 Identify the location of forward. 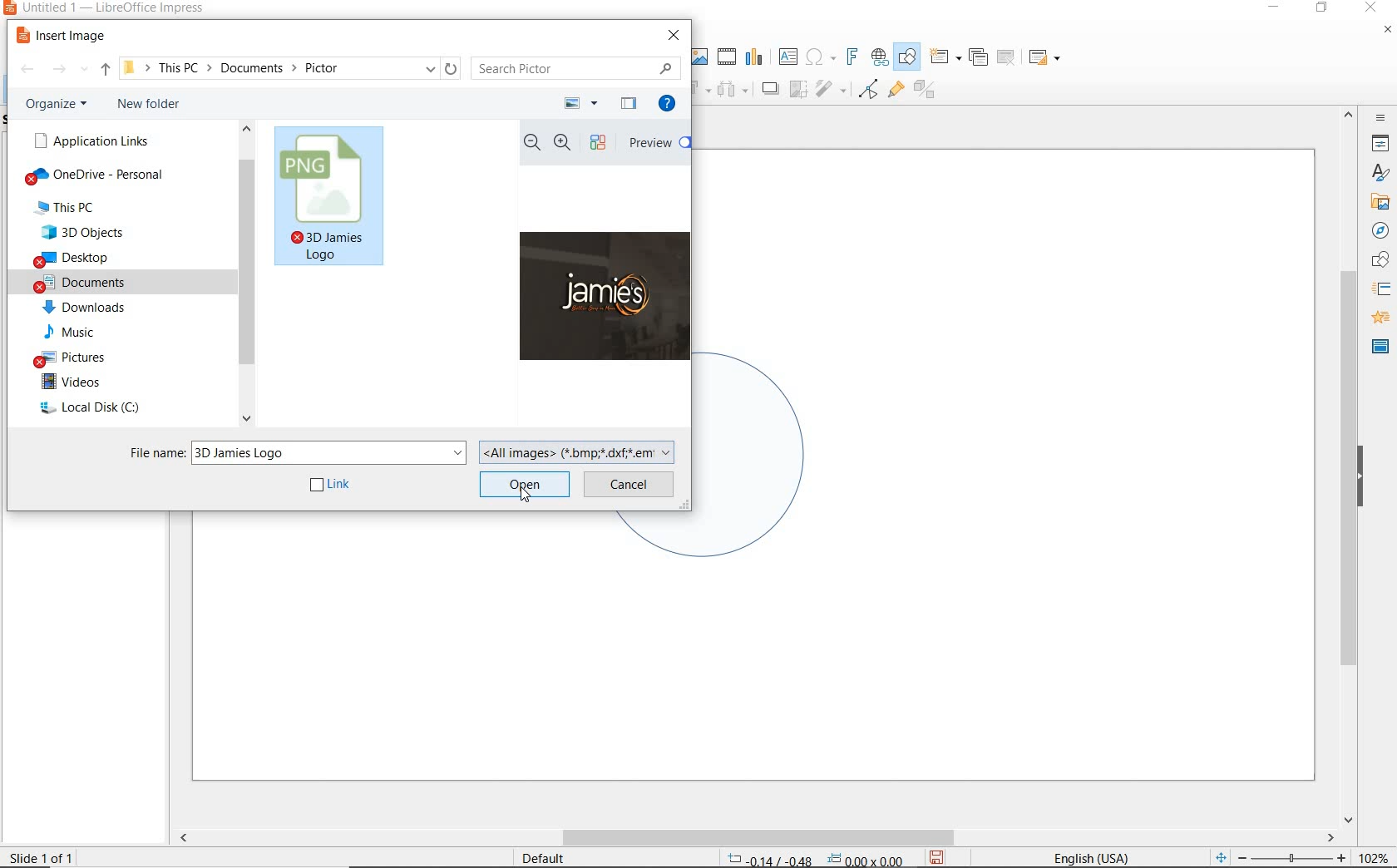
(70, 72).